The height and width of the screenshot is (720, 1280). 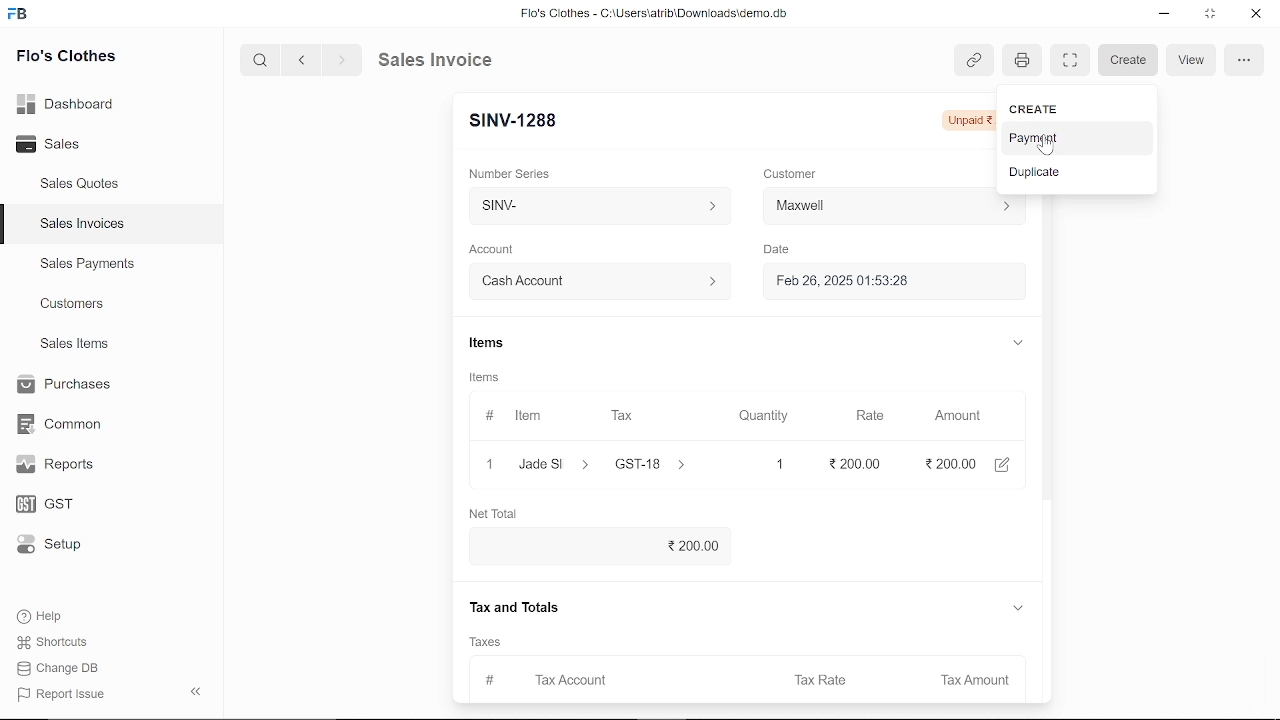 What do you see at coordinates (18, 16) in the screenshot?
I see `frappe books` at bounding box center [18, 16].